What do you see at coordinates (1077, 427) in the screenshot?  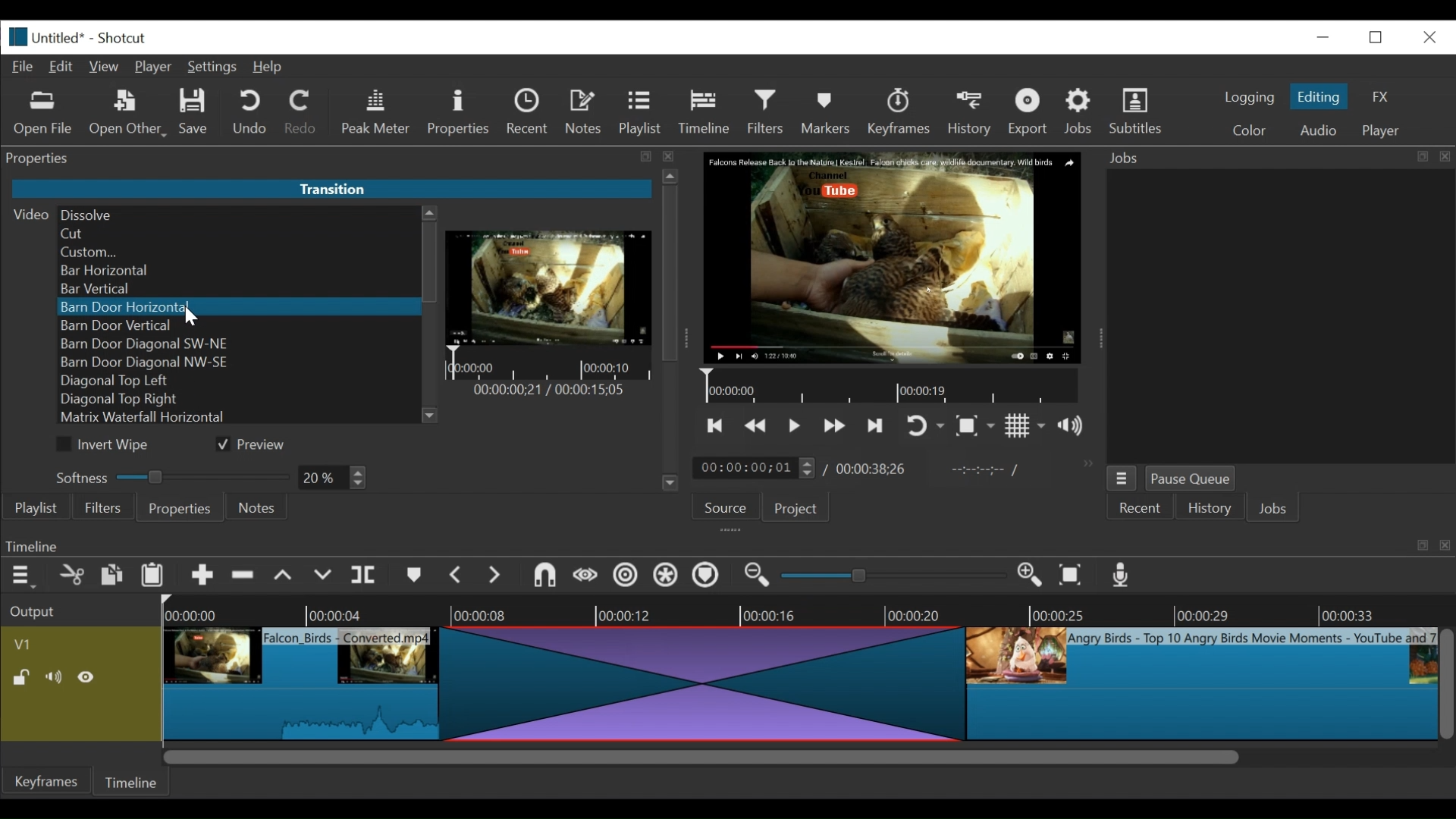 I see `show volume control` at bounding box center [1077, 427].